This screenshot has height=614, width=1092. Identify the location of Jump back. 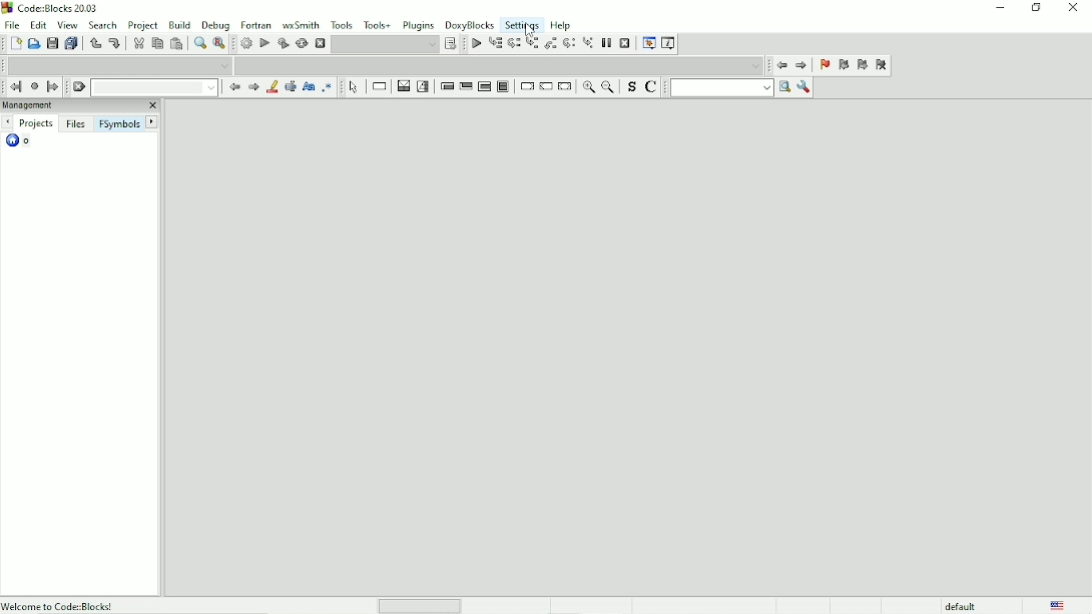
(781, 64).